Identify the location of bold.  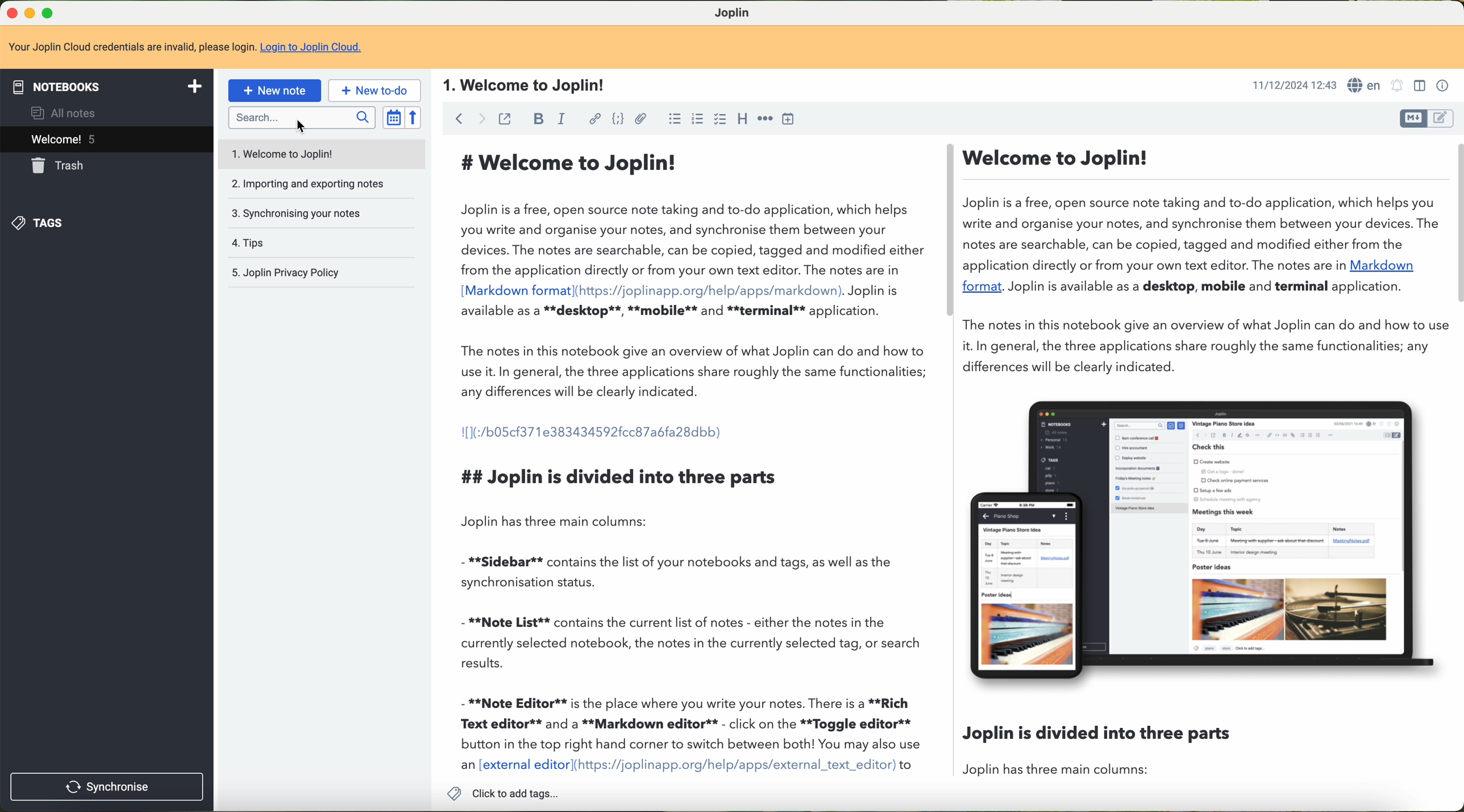
(538, 118).